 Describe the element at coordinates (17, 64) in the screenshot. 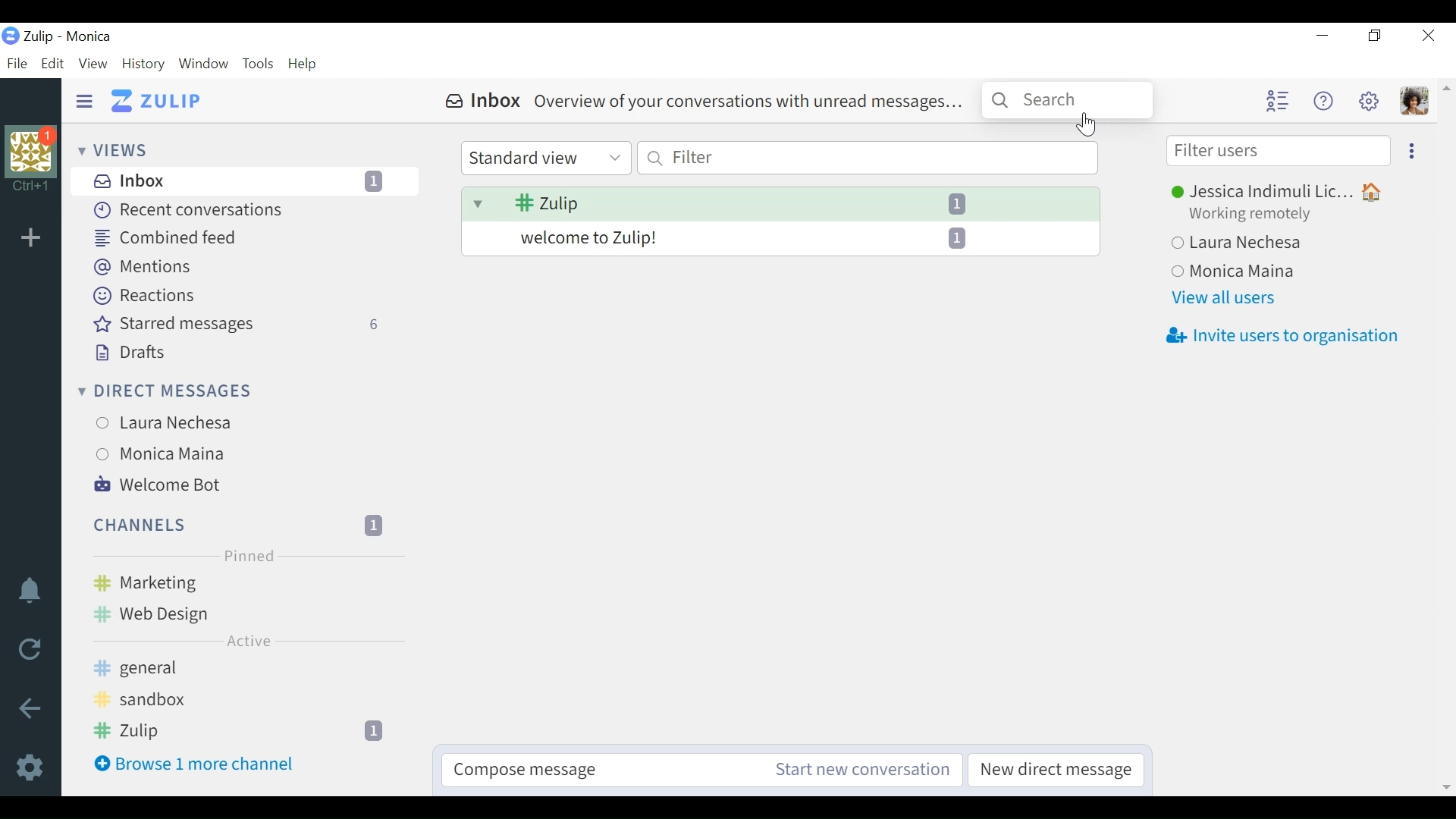

I see `File` at that location.